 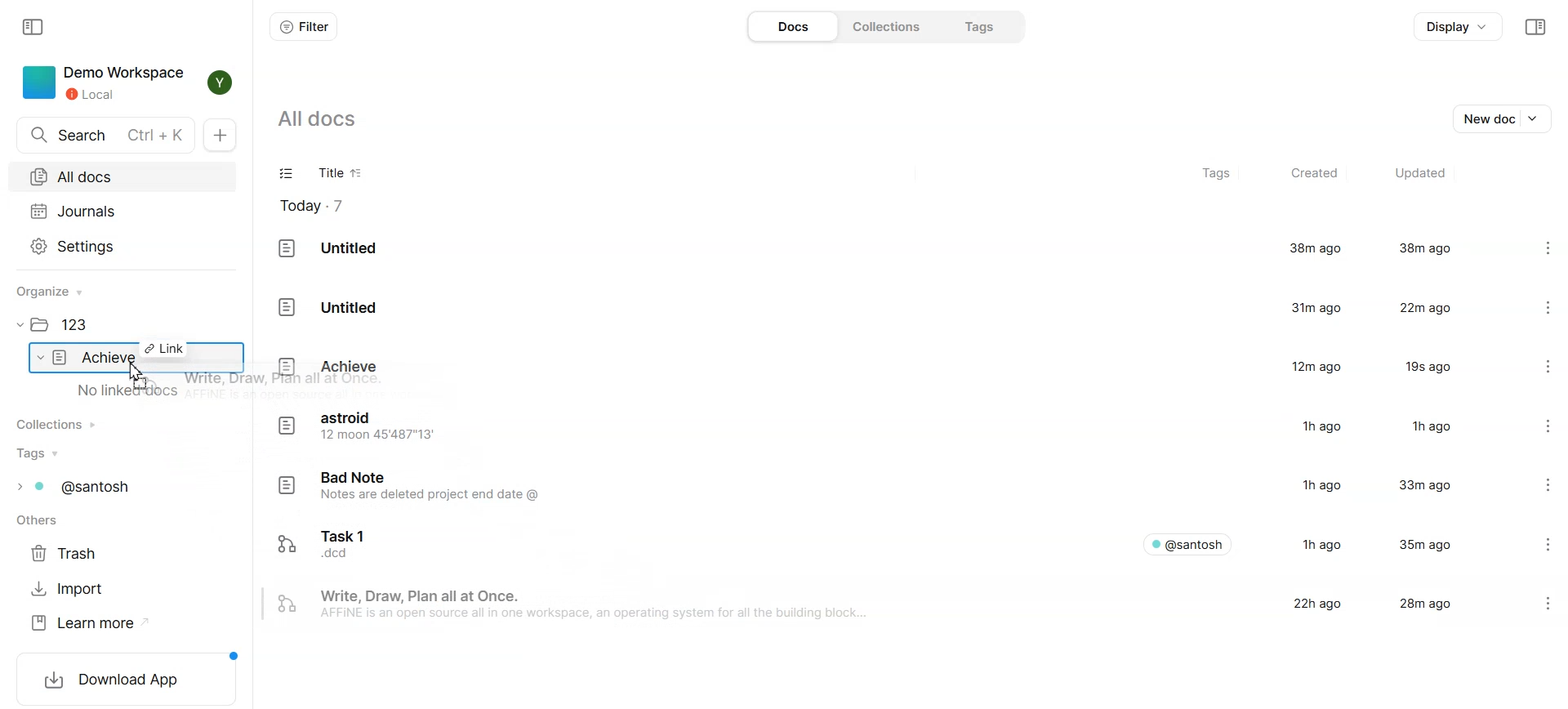 What do you see at coordinates (106, 136) in the screenshot?
I see `Search doc` at bounding box center [106, 136].